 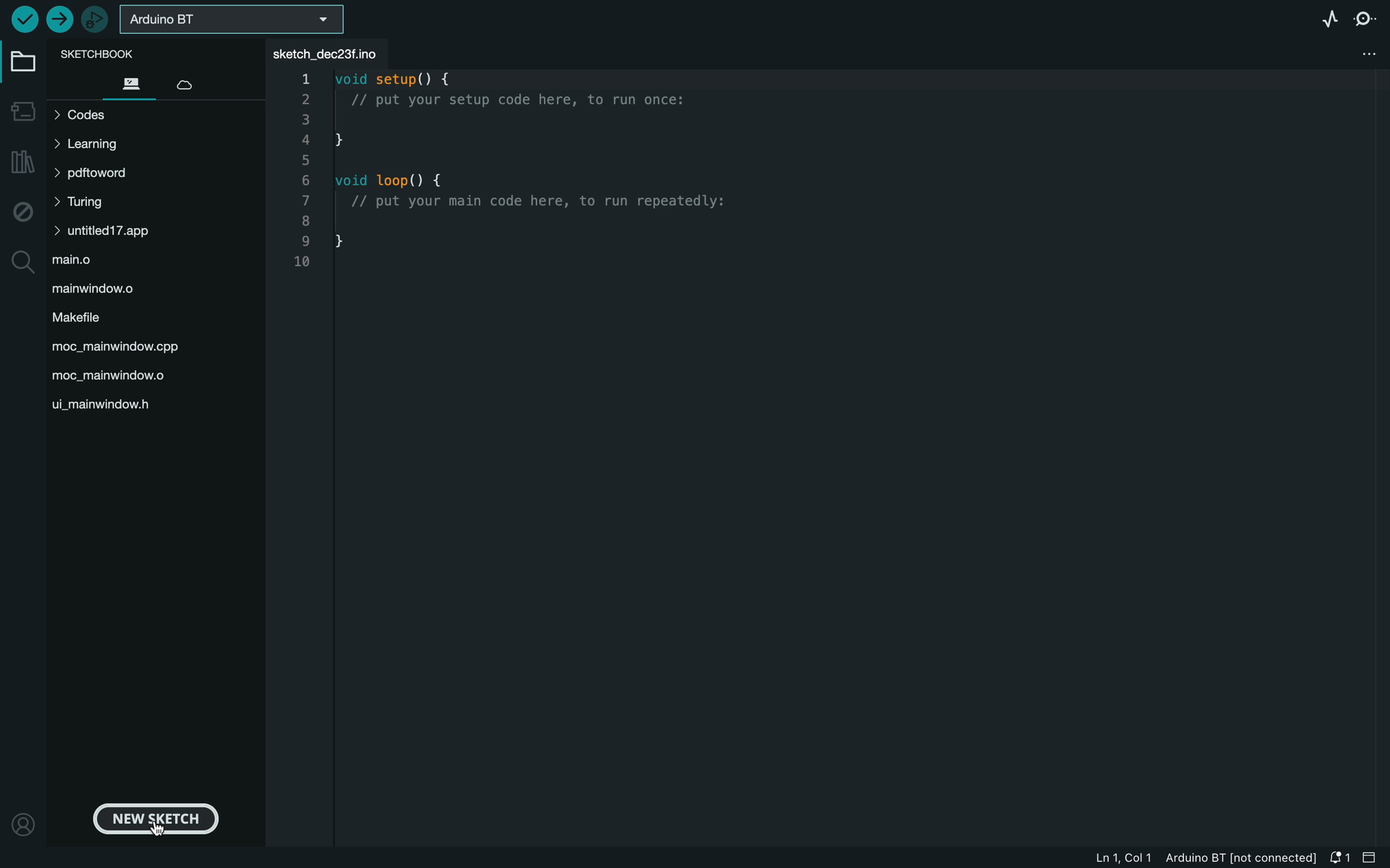 I want to click on verify, so click(x=23, y=18).